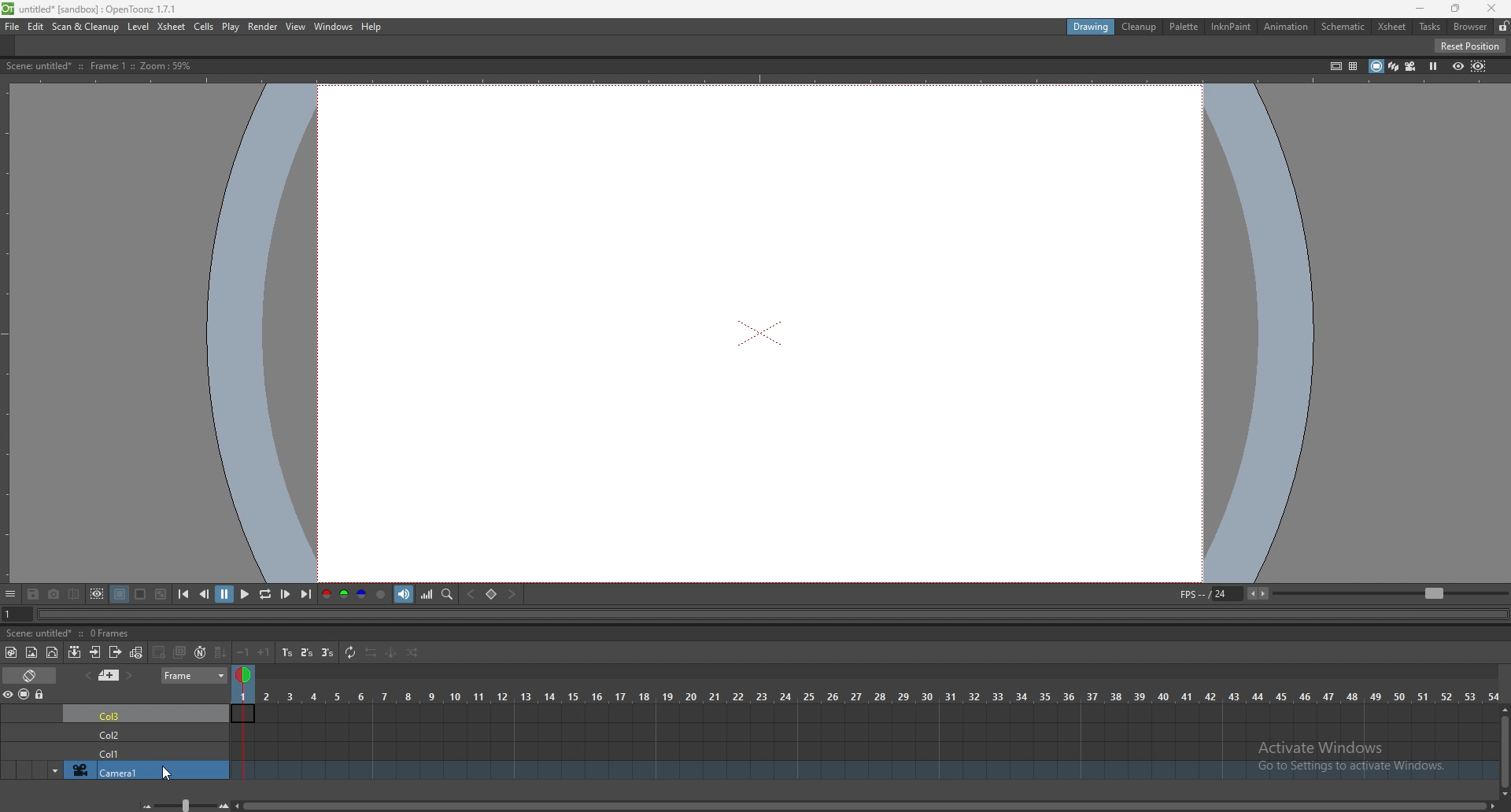 This screenshot has width=1511, height=812. I want to click on create blank drawing, so click(161, 652).